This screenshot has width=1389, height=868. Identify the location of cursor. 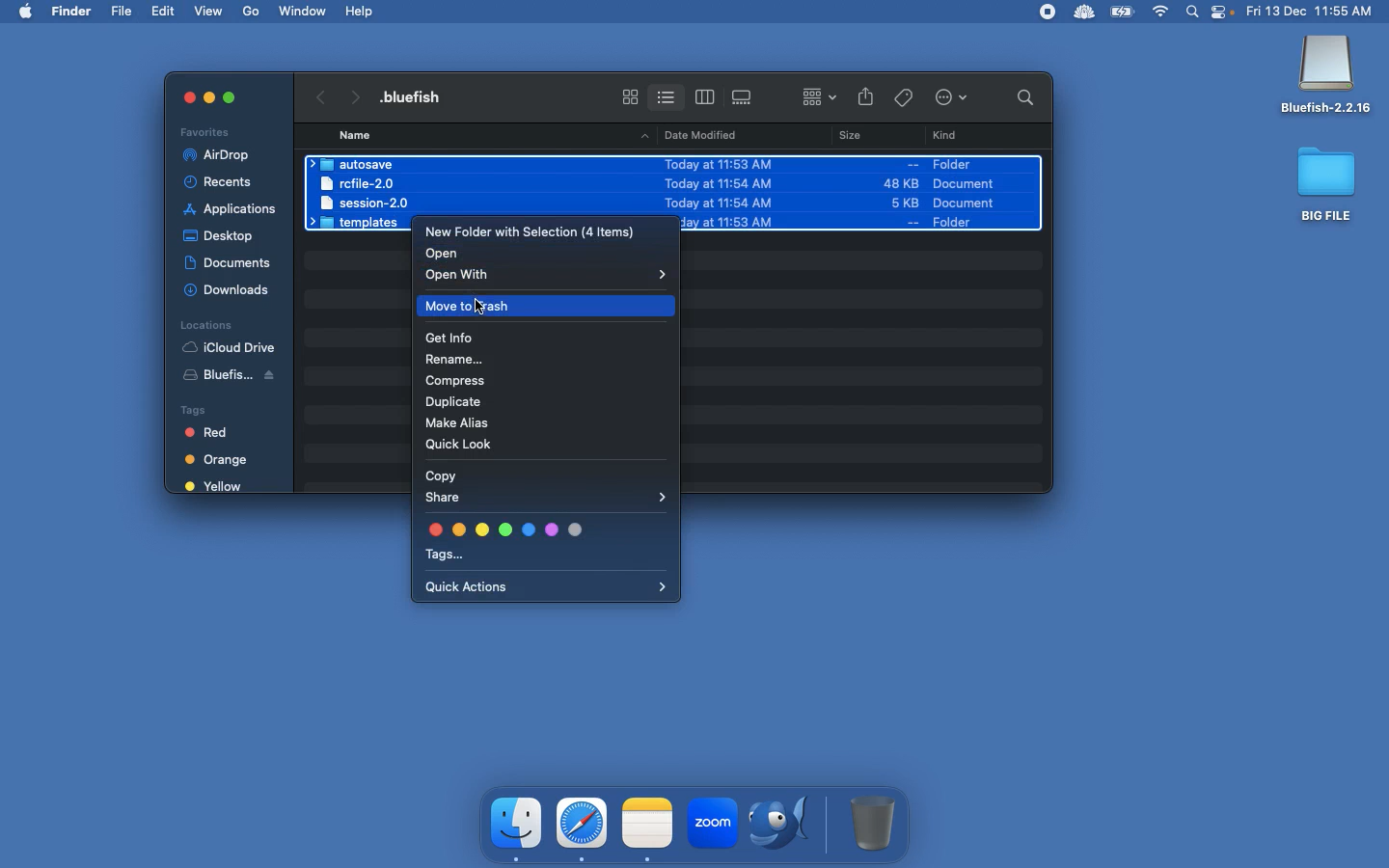
(482, 311).